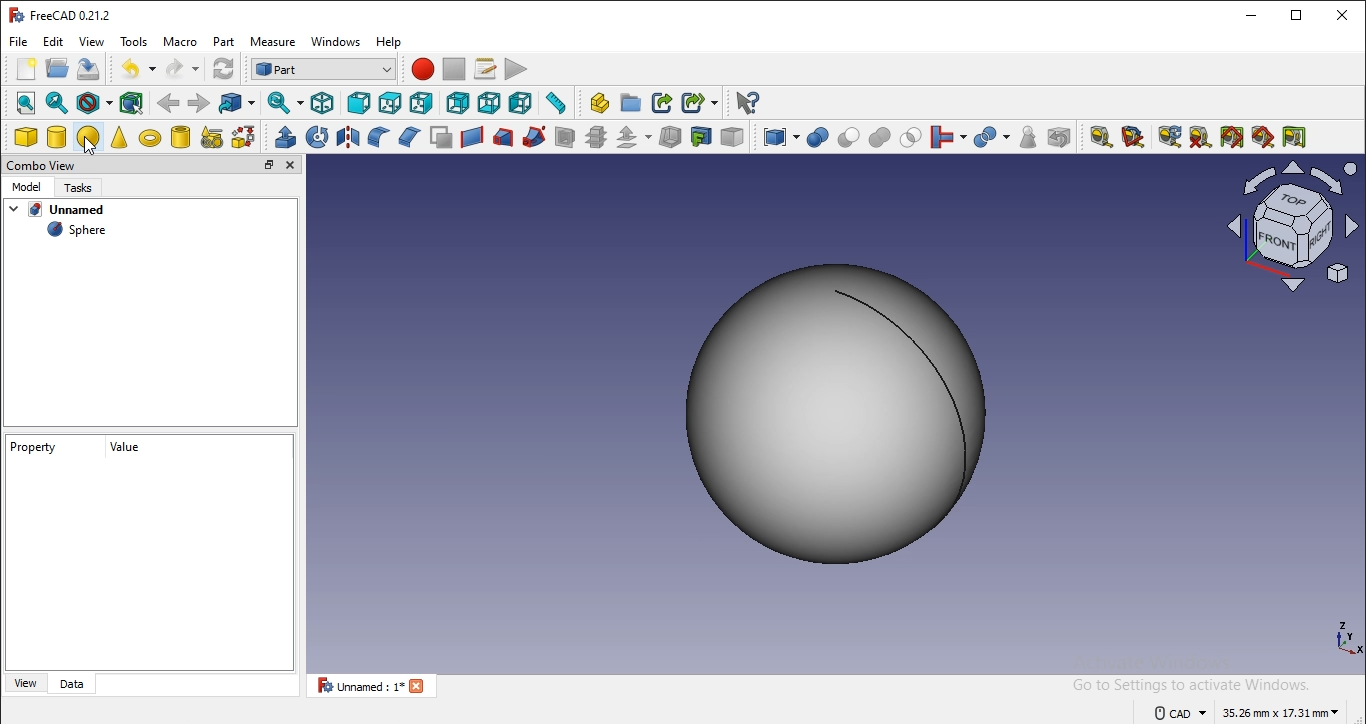 Image resolution: width=1366 pixels, height=724 pixels. Describe the element at coordinates (562, 136) in the screenshot. I see `section` at that location.